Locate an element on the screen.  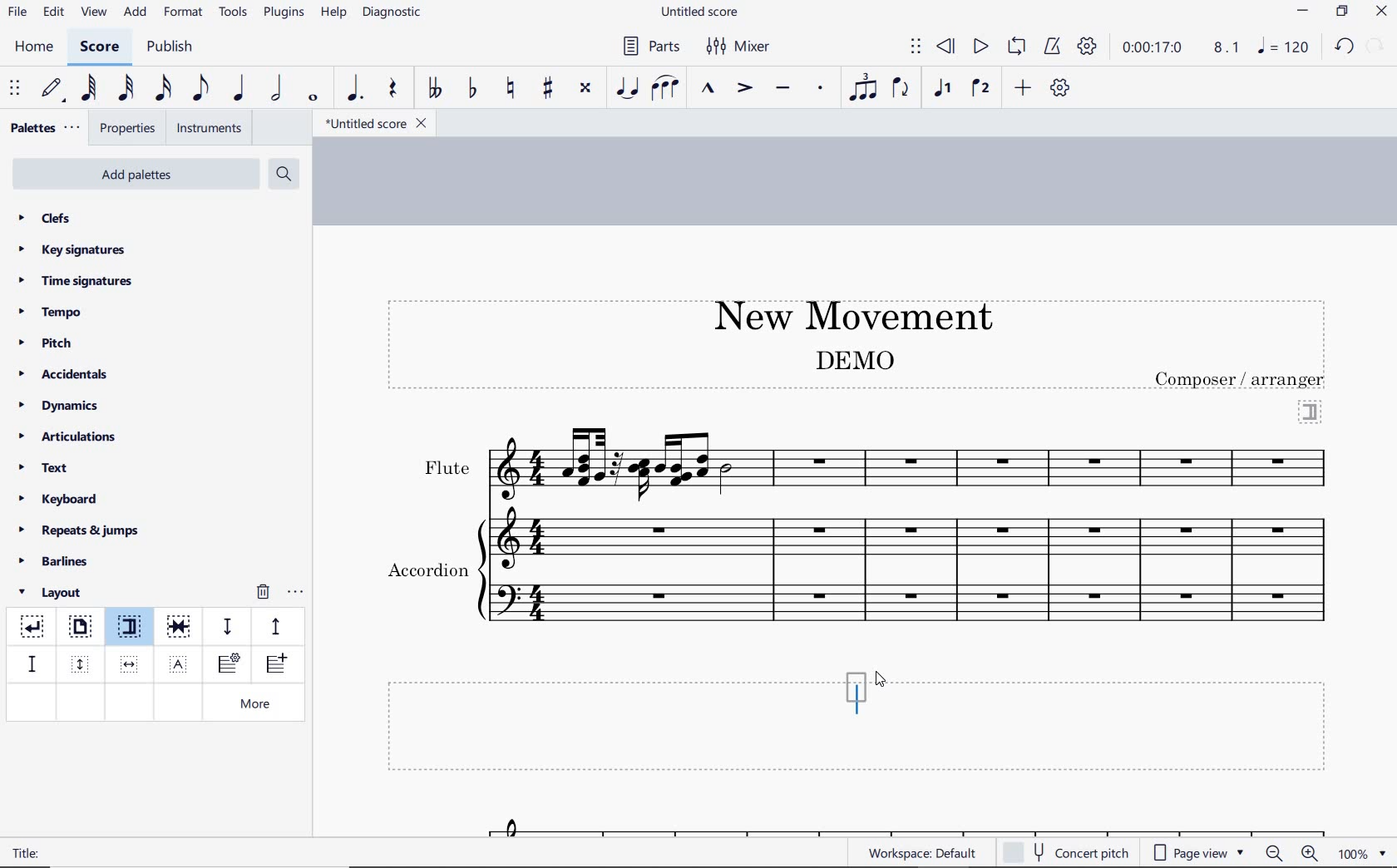
insert vertical frame is located at coordinates (82, 663).